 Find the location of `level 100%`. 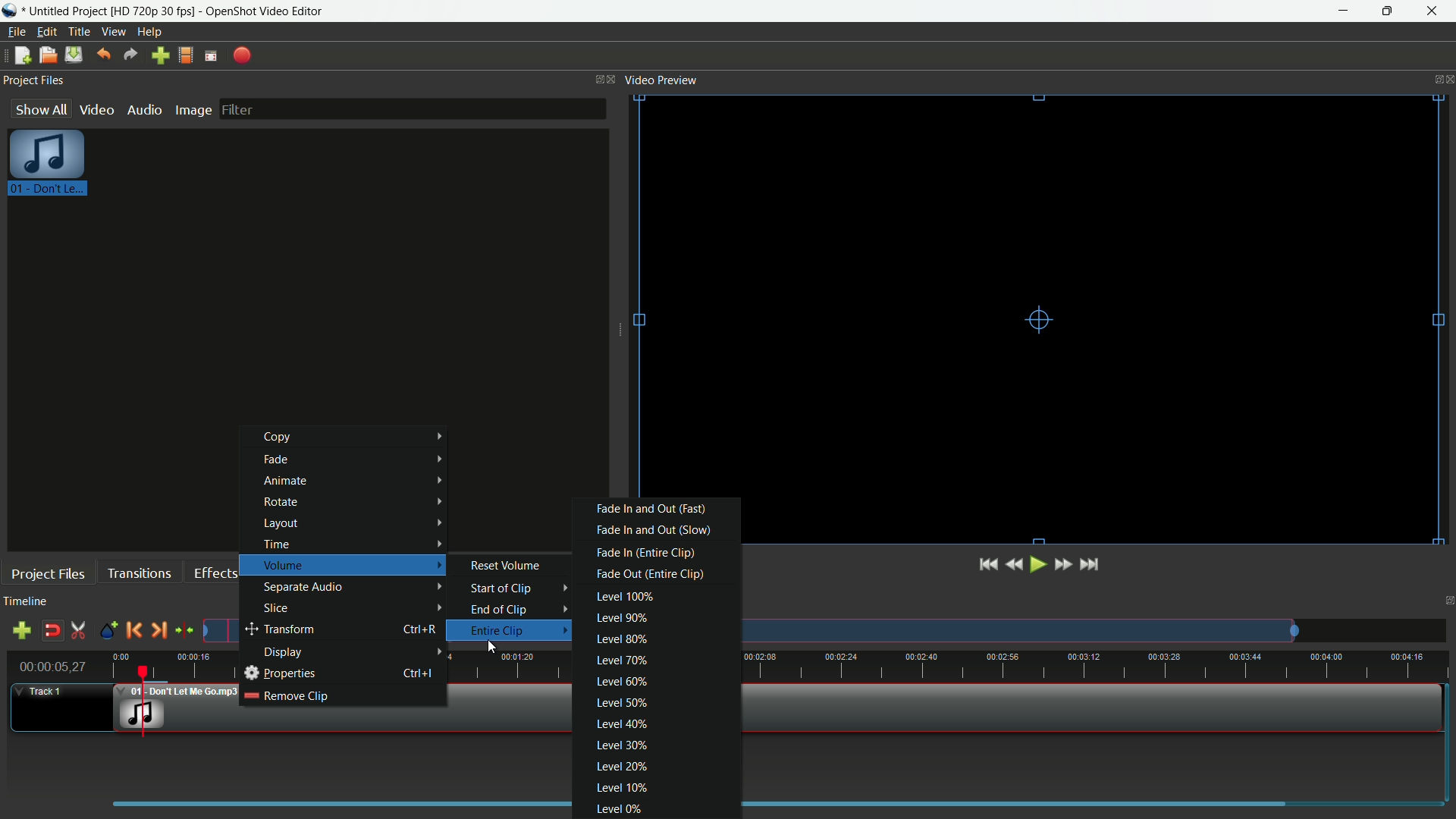

level 100% is located at coordinates (624, 596).